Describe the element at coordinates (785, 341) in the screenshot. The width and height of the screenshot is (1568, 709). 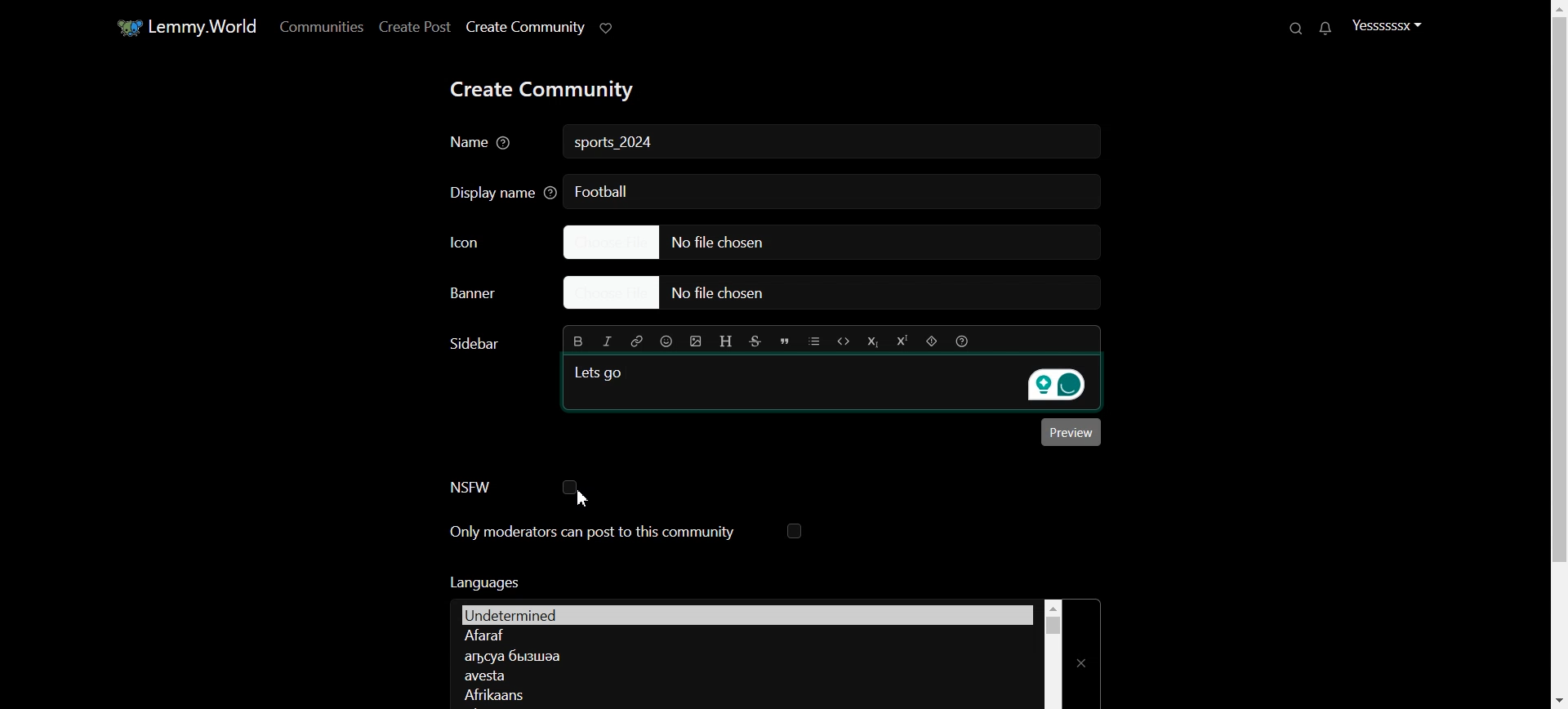
I see `Quote` at that location.